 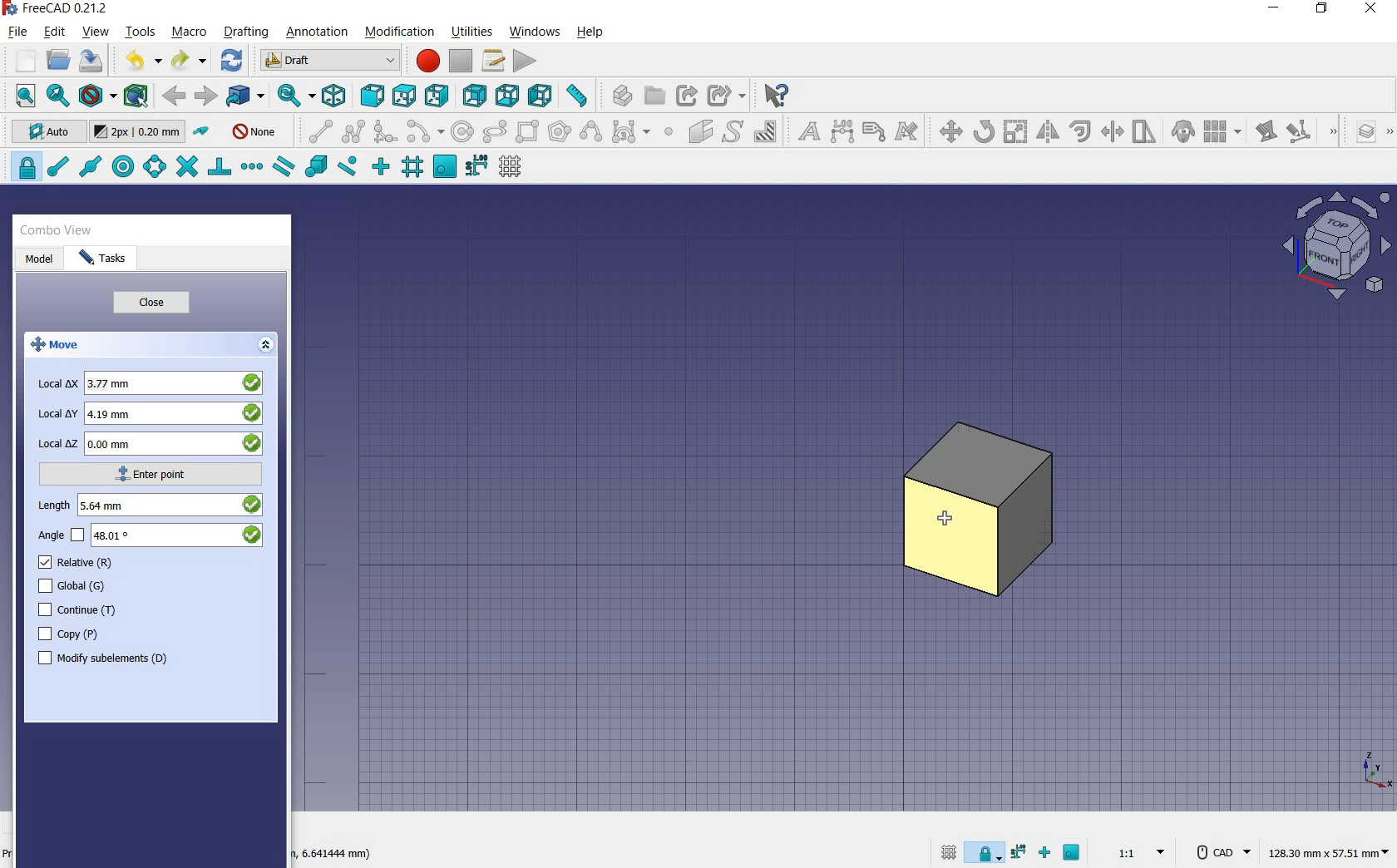 I want to click on local x, so click(x=152, y=383).